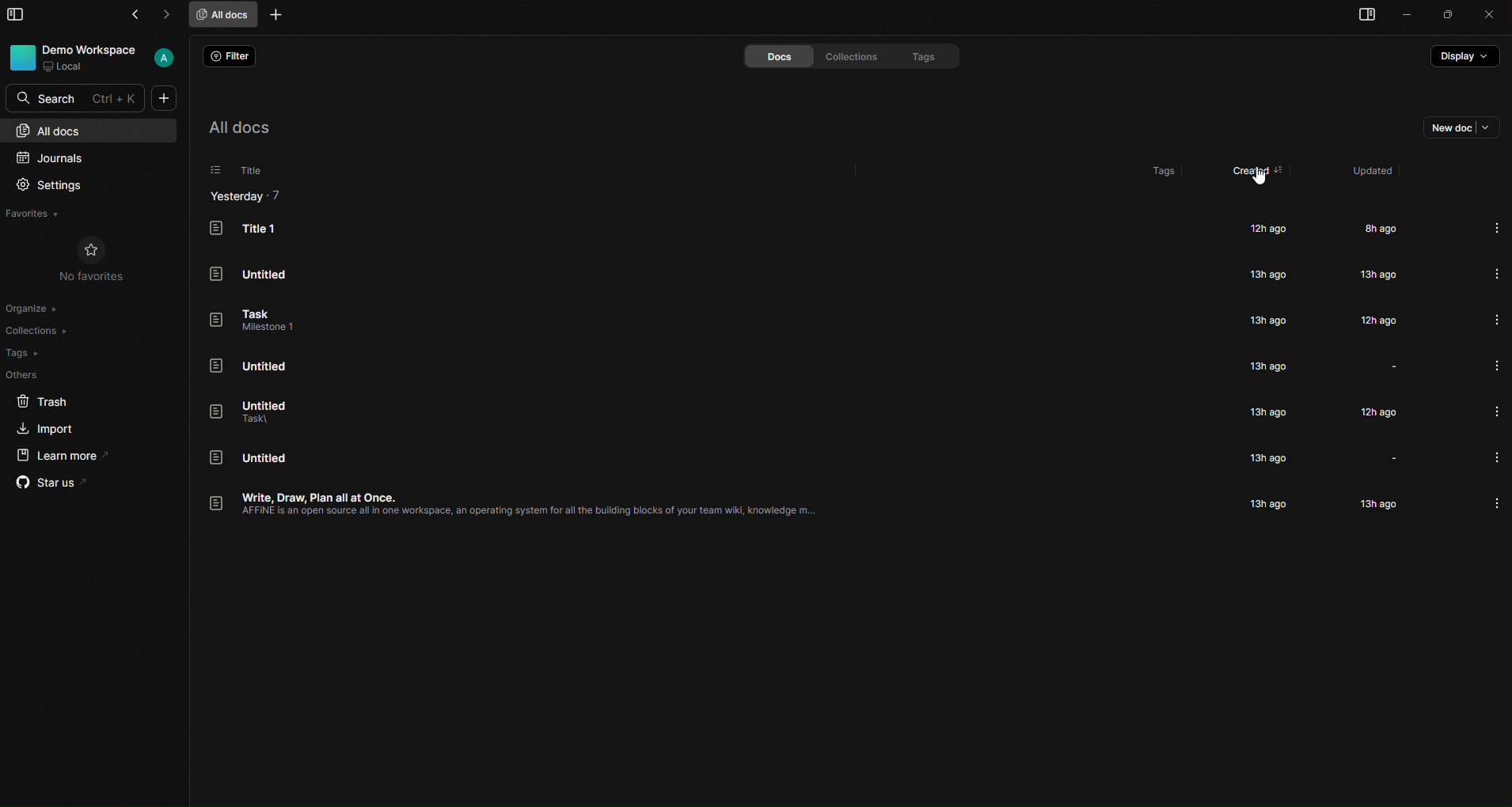  I want to click on display, so click(1465, 56).